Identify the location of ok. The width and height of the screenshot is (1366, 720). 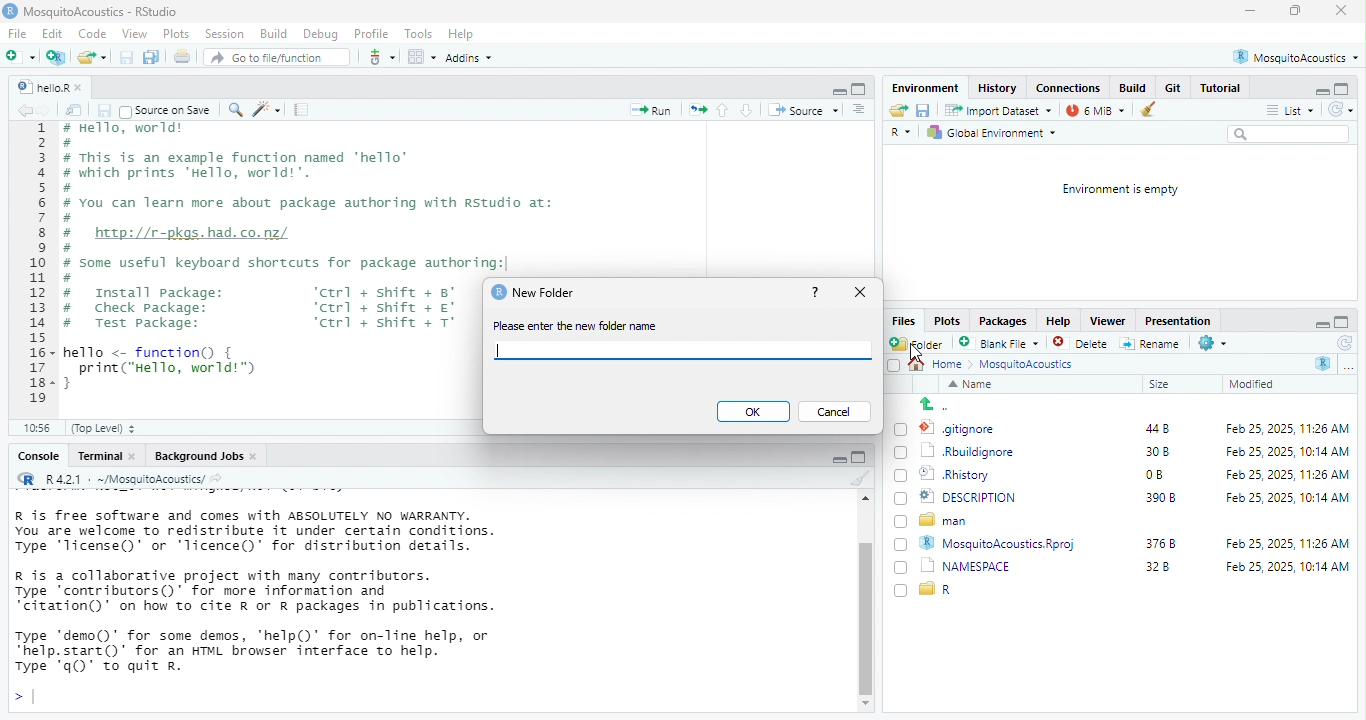
(752, 412).